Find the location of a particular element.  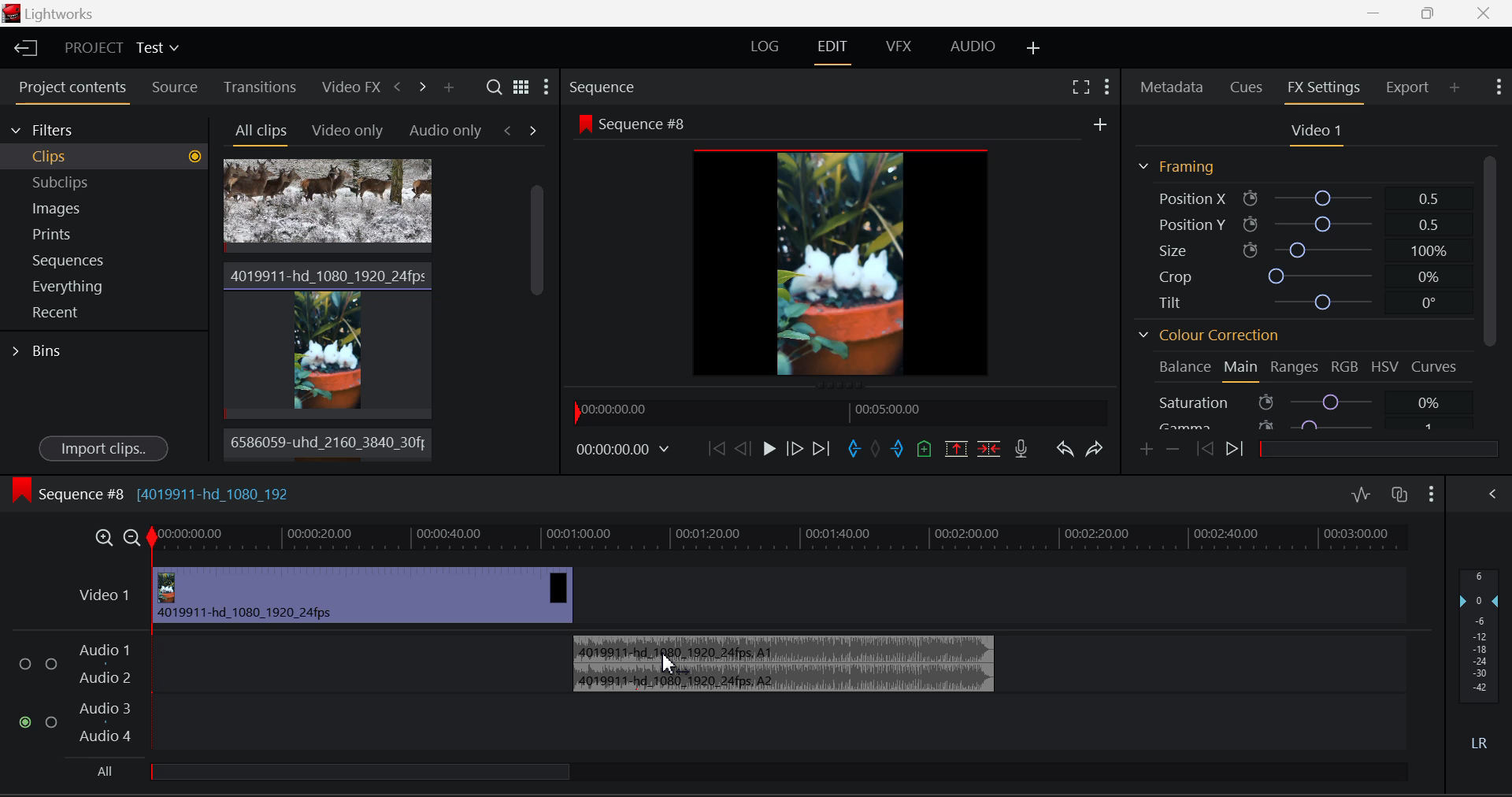

Sequence Preview Screen is located at coordinates (842, 247).